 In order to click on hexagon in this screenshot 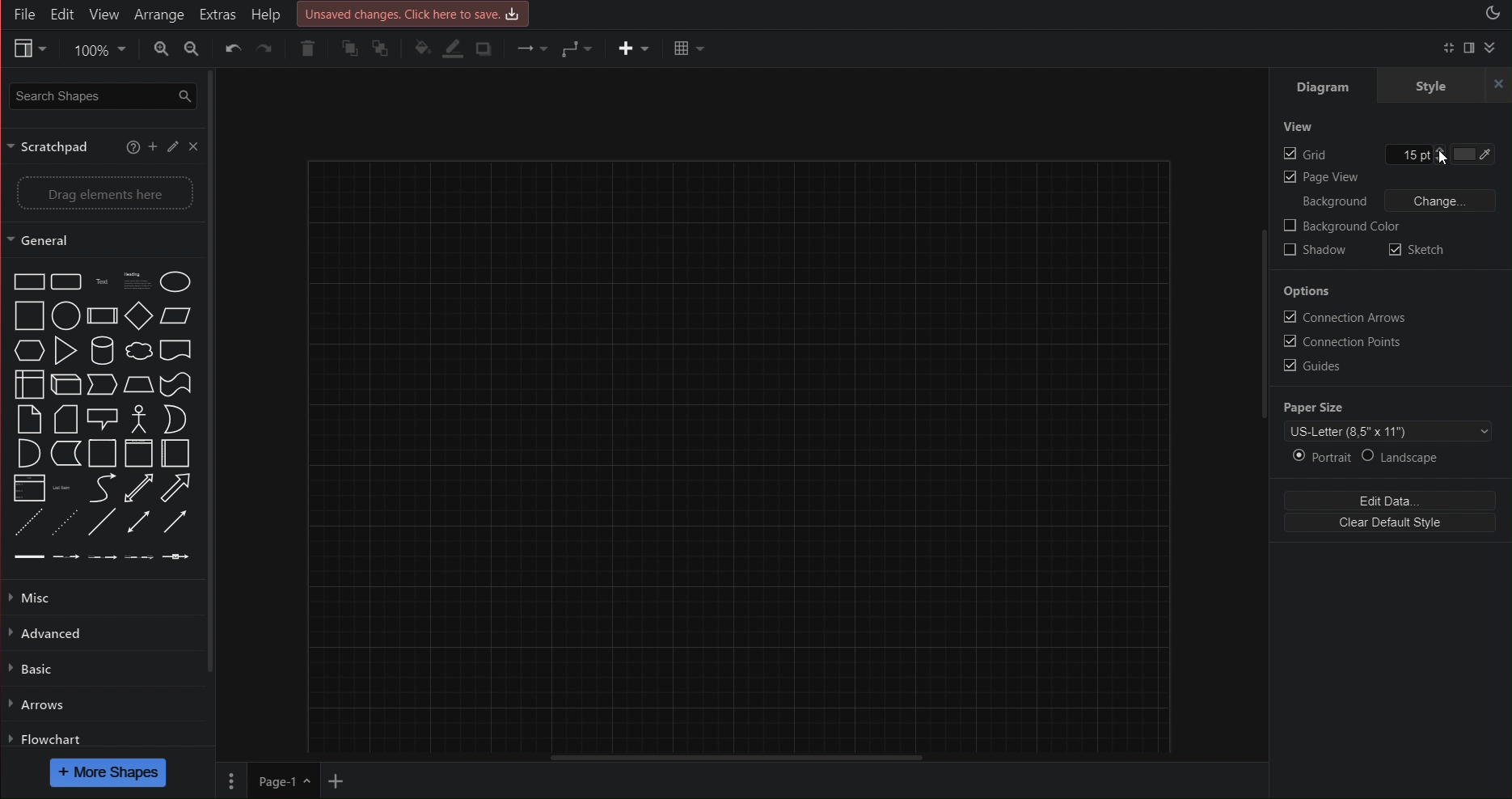, I will do `click(24, 349)`.